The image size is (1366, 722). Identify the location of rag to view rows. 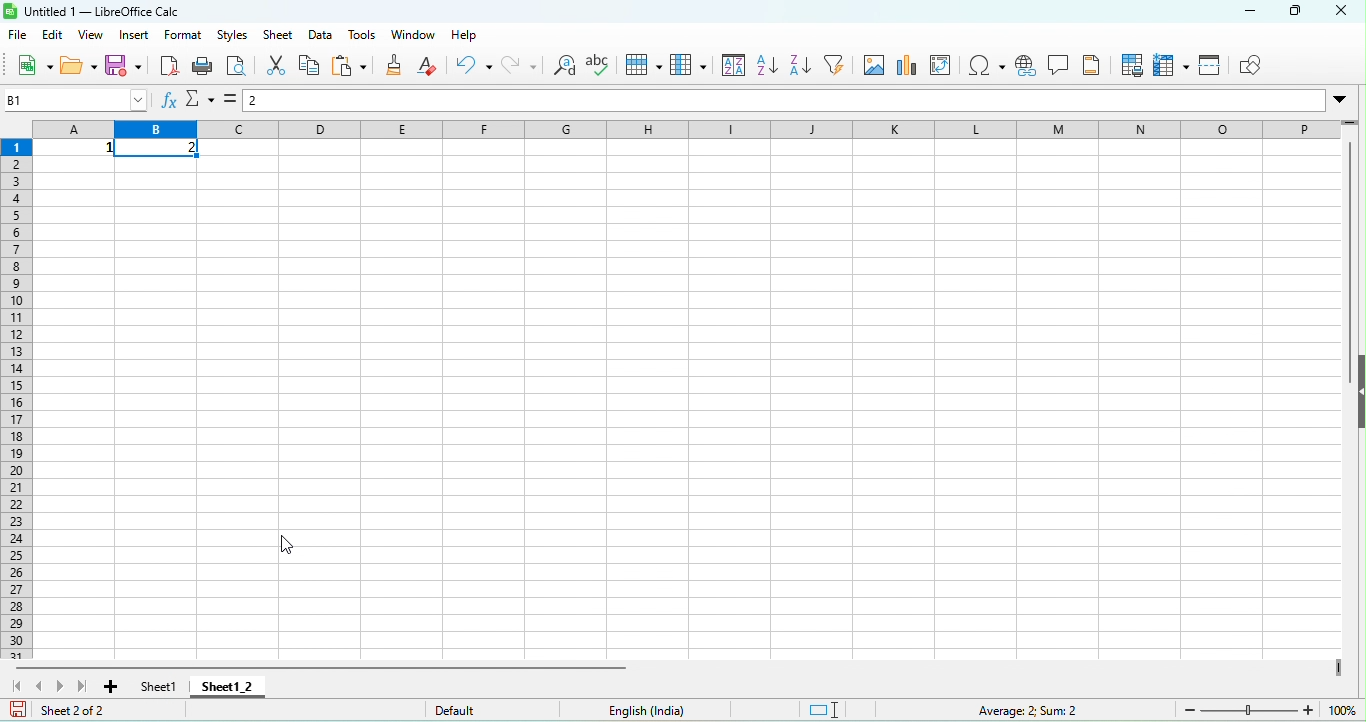
(1350, 128).